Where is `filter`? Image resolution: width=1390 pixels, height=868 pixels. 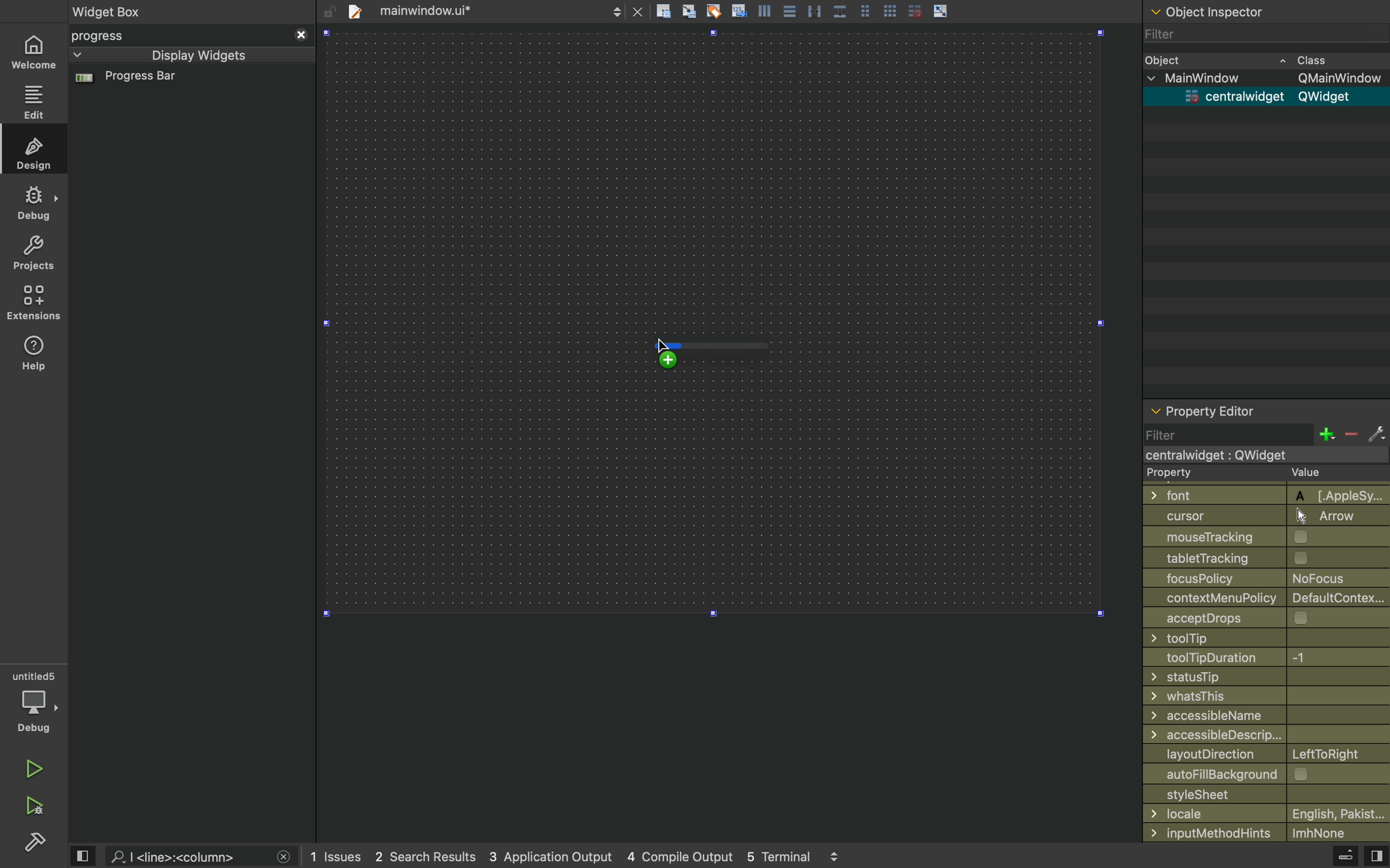
filter is located at coordinates (1164, 36).